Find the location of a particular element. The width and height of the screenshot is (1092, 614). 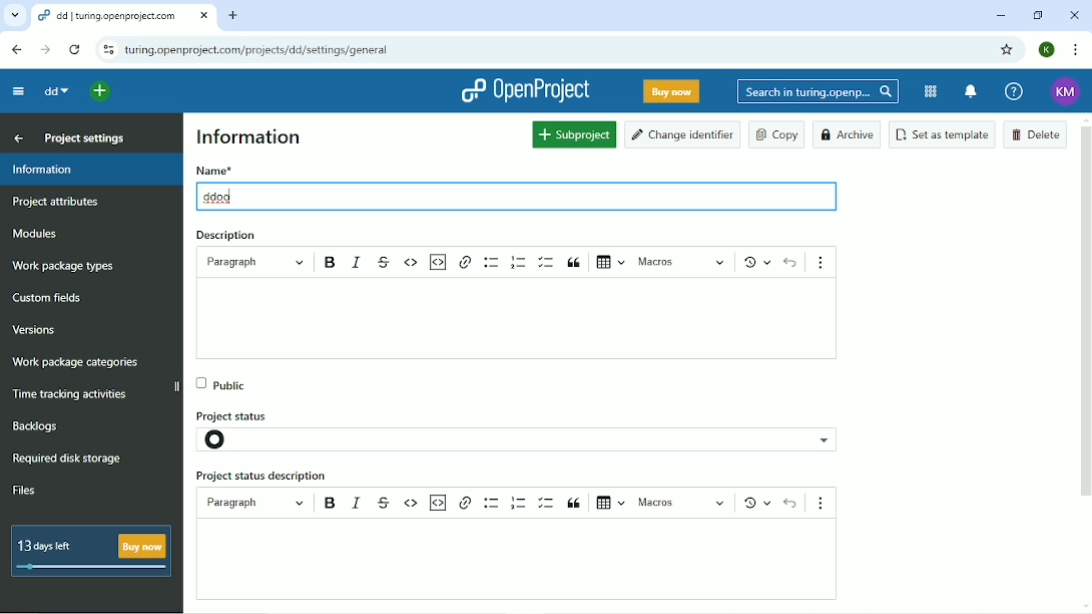

bulleted list is located at coordinates (490, 502).